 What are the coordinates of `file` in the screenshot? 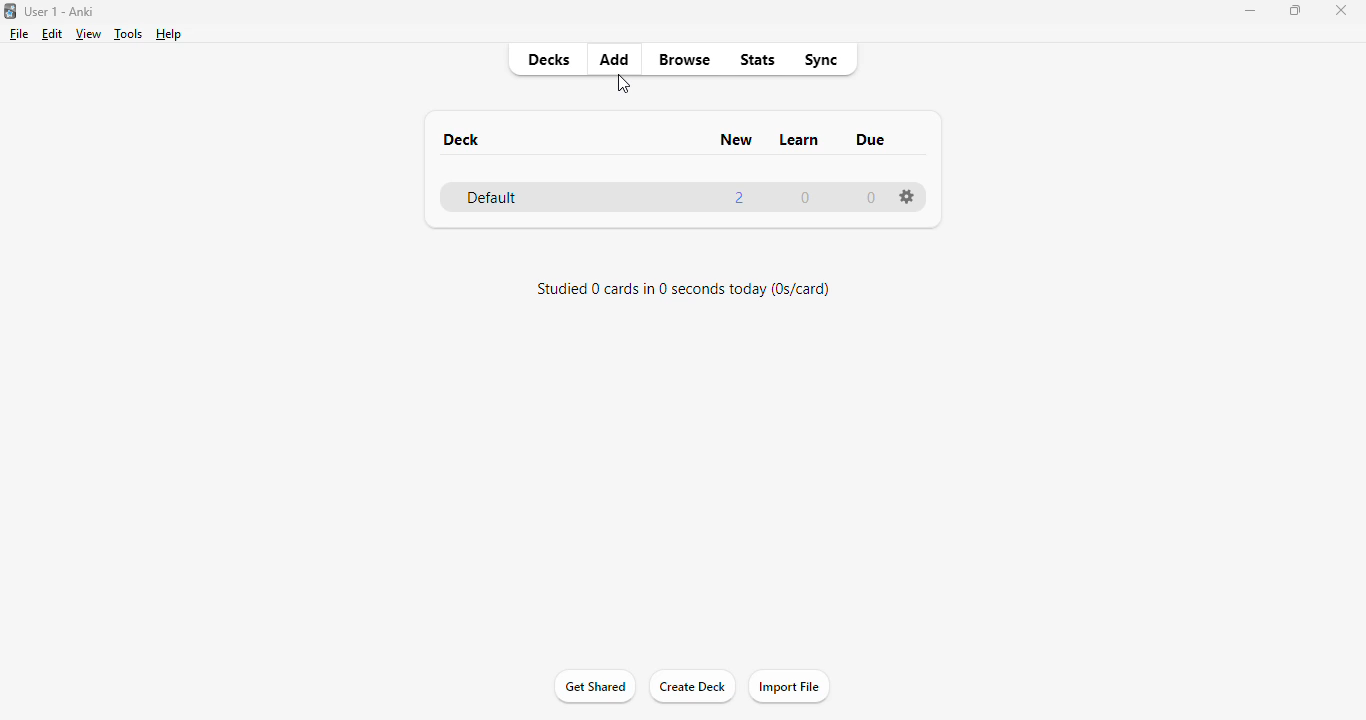 It's located at (19, 34).